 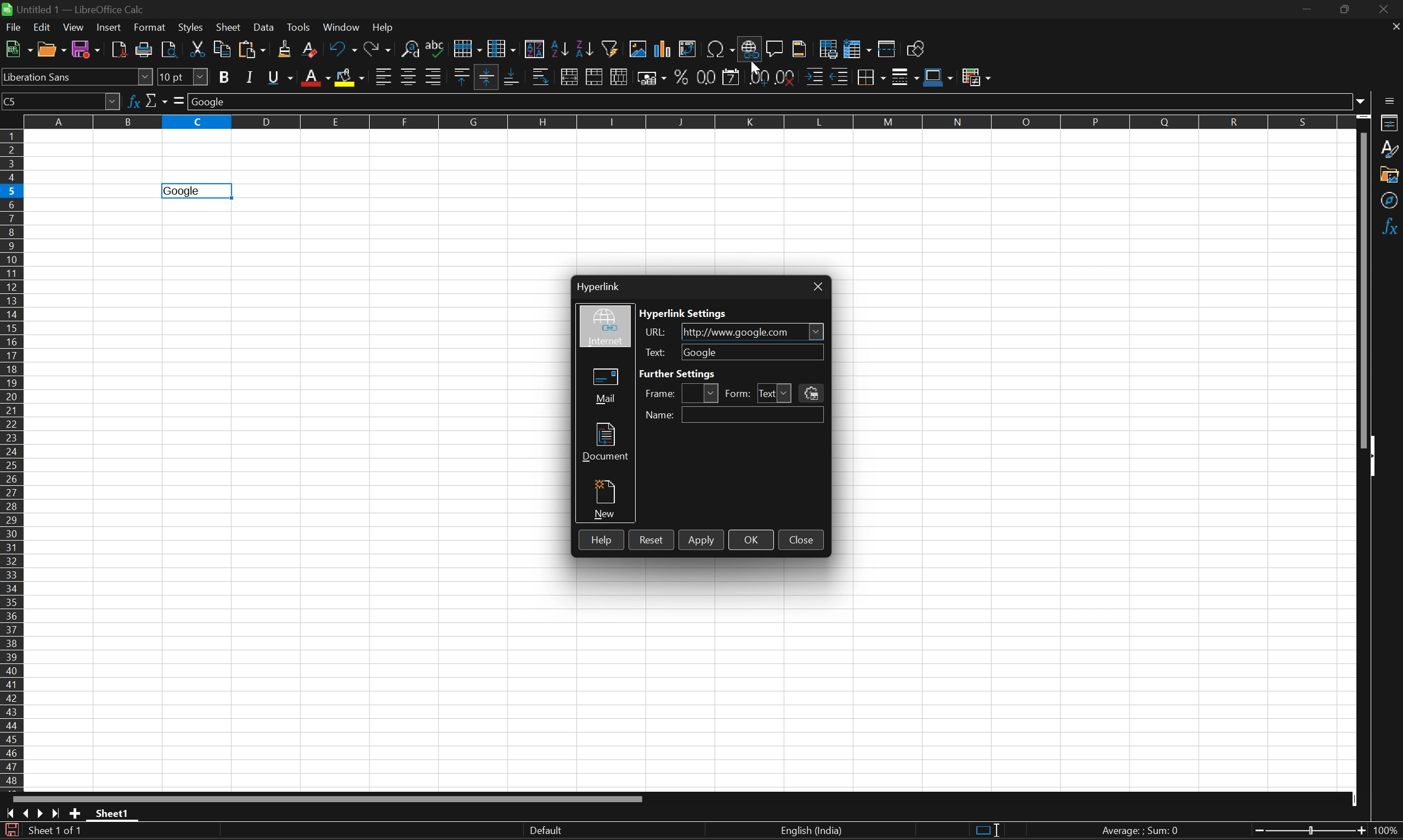 I want to click on Conditional, so click(x=977, y=76).